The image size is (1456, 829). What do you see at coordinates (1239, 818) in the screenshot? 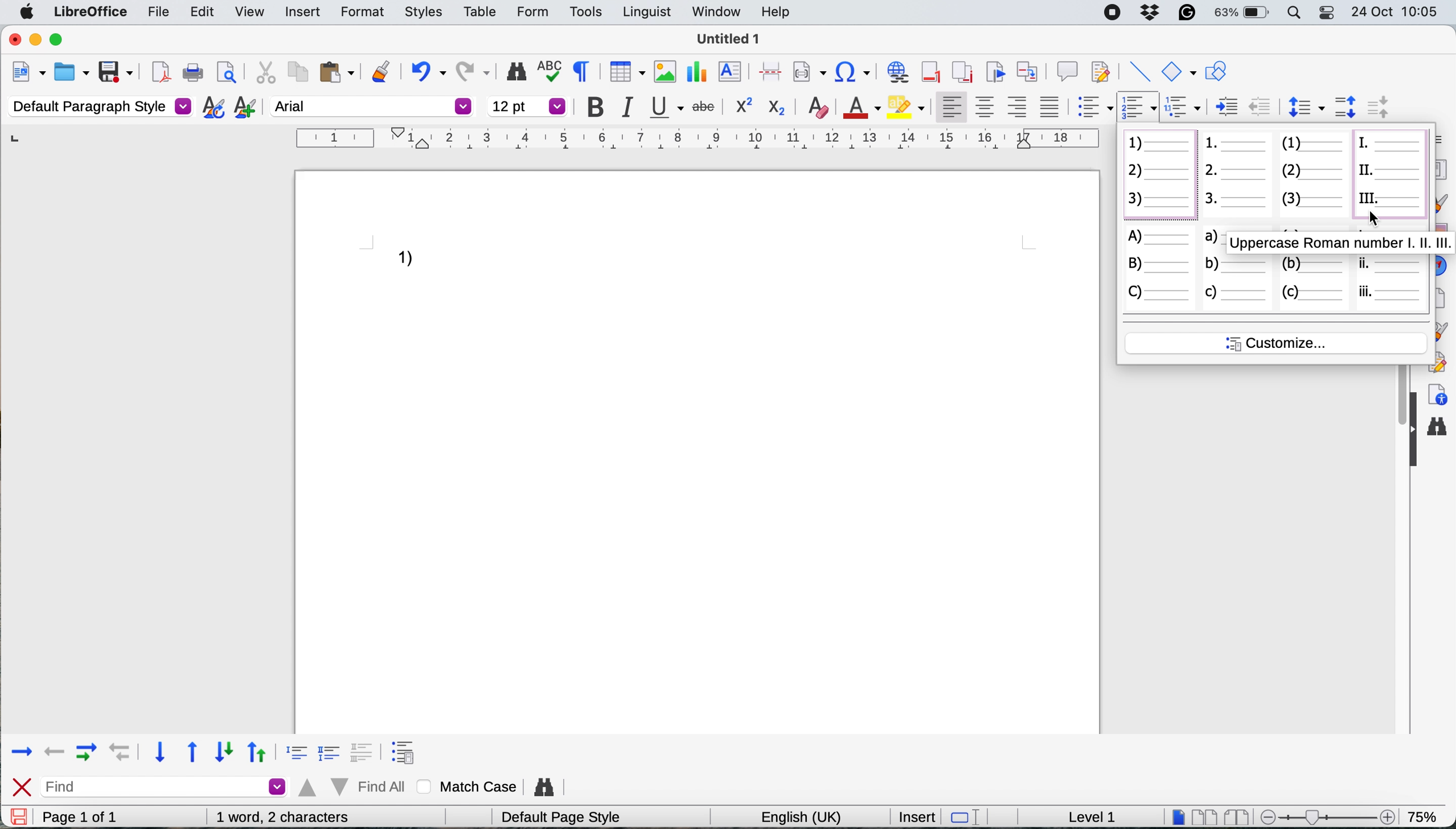
I see `book view` at bounding box center [1239, 818].